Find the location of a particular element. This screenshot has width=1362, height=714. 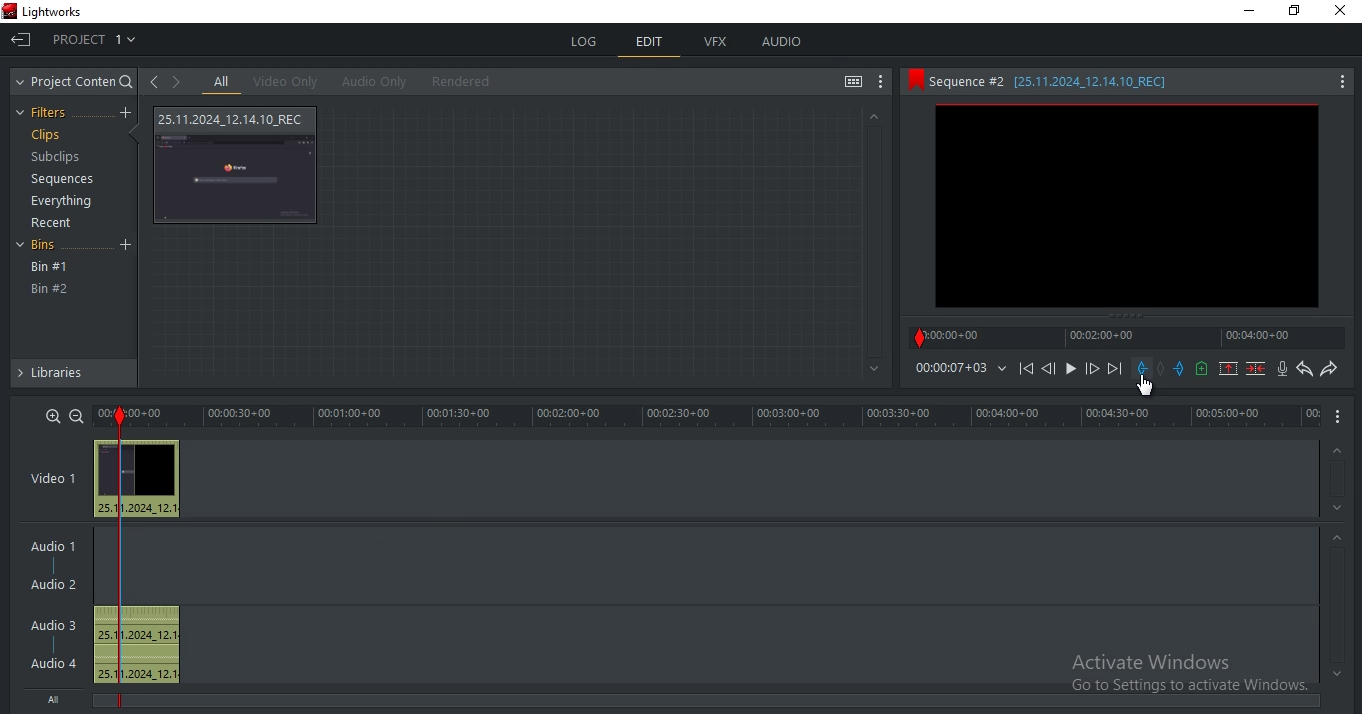

clip is located at coordinates (1126, 206).